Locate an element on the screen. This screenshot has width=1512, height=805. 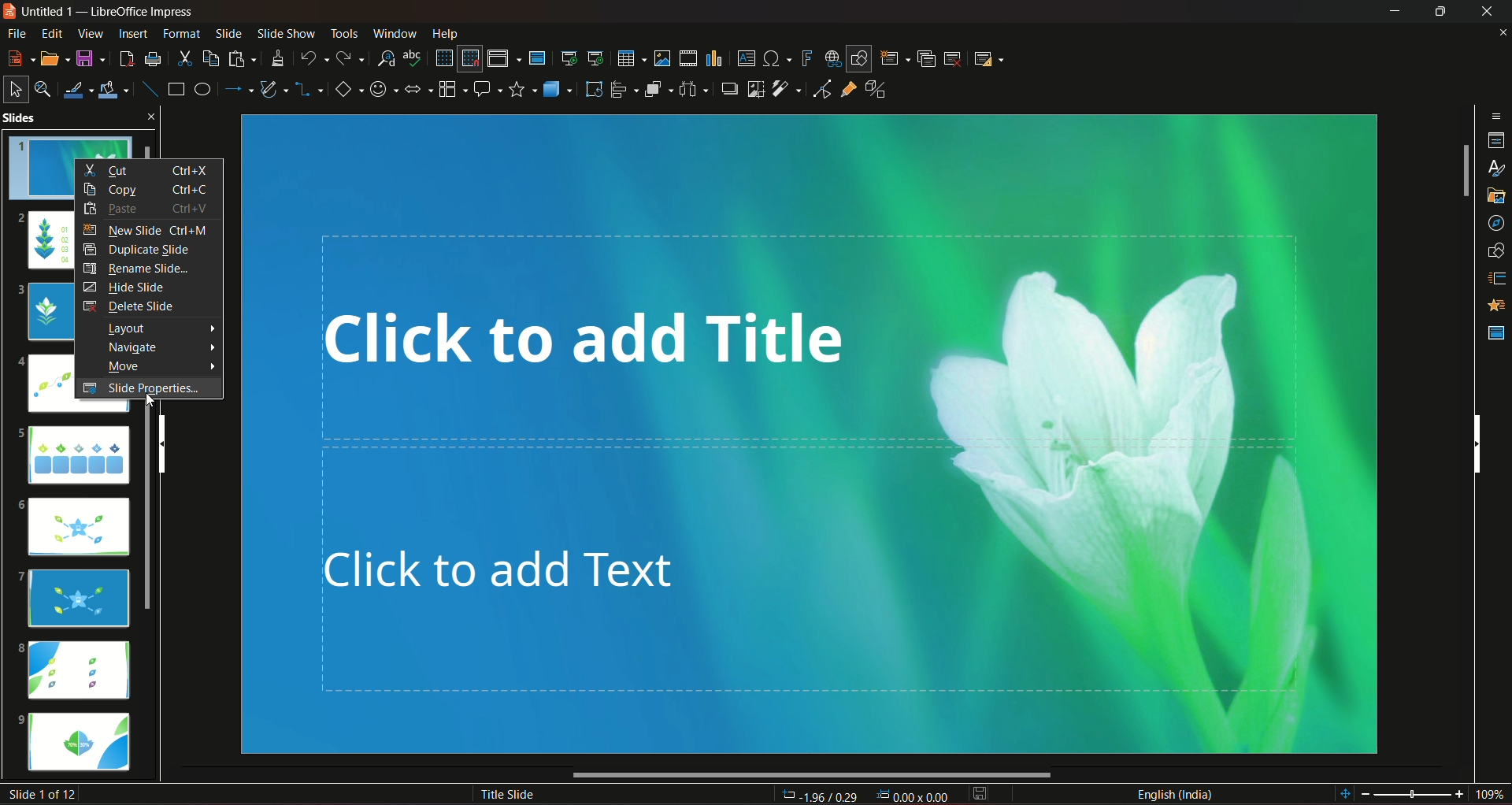
layout is located at coordinates (158, 328).